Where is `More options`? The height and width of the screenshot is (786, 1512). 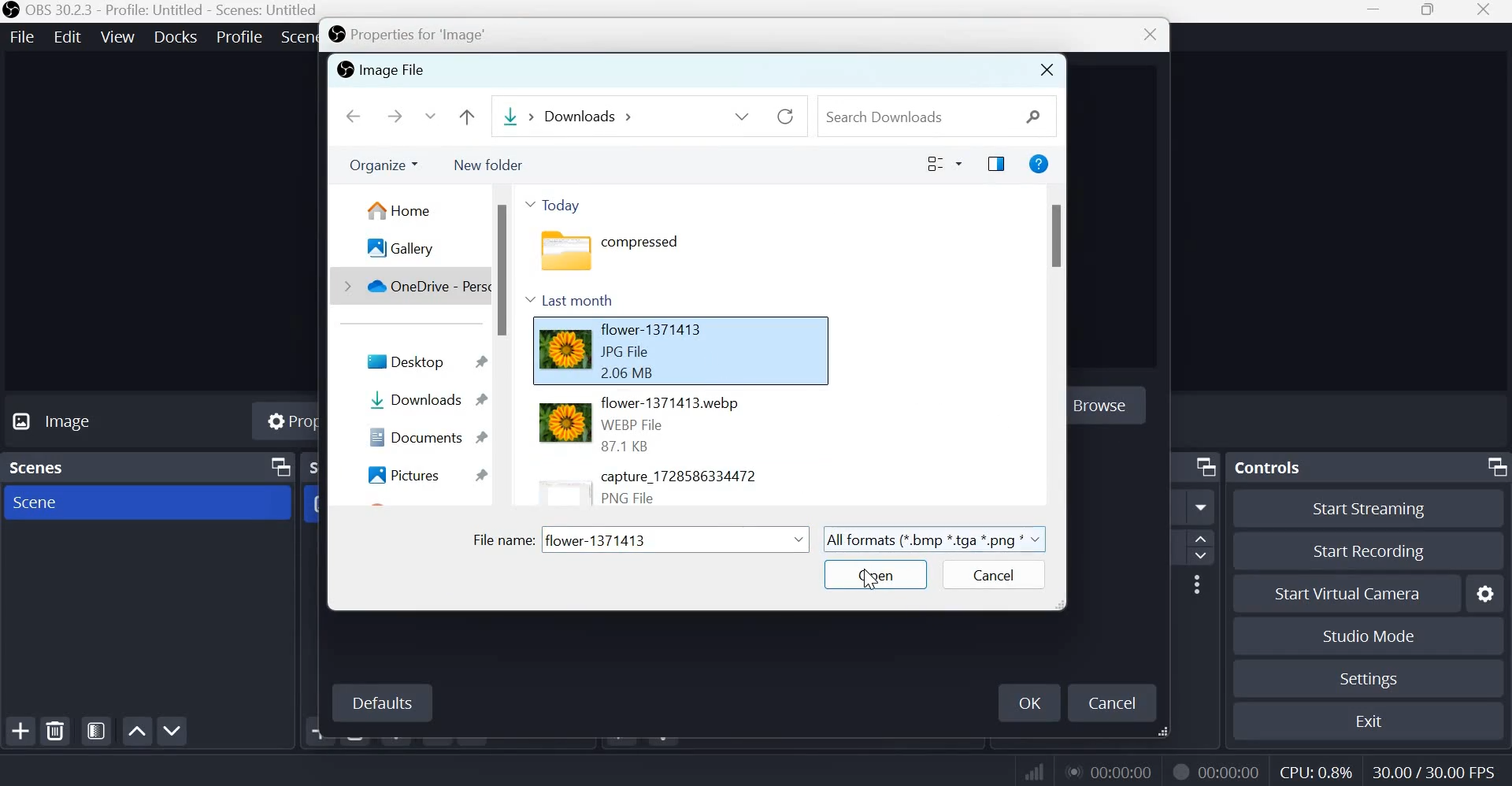 More options is located at coordinates (1202, 508).